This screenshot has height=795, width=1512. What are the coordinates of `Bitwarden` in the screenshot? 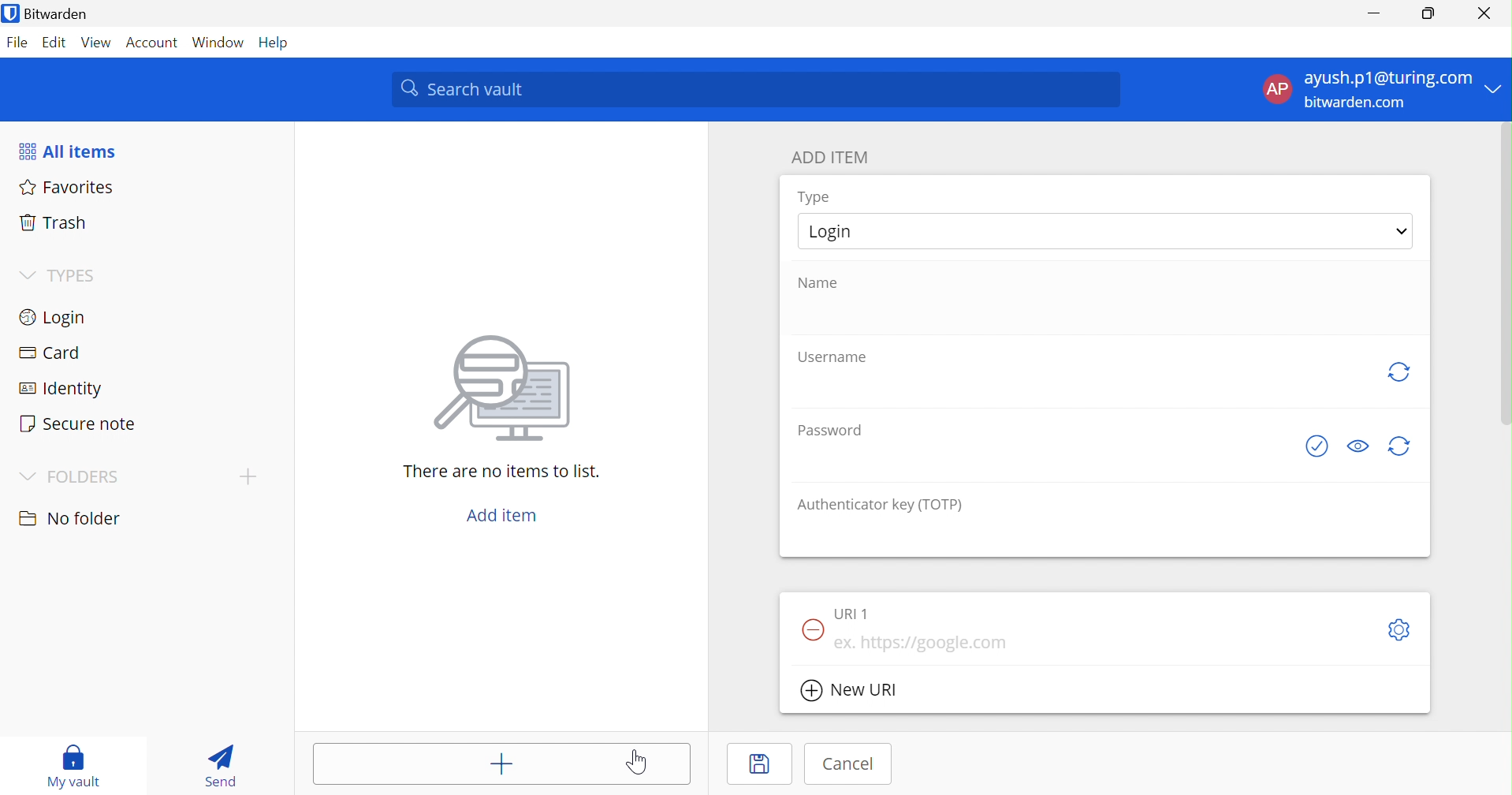 It's located at (58, 15).